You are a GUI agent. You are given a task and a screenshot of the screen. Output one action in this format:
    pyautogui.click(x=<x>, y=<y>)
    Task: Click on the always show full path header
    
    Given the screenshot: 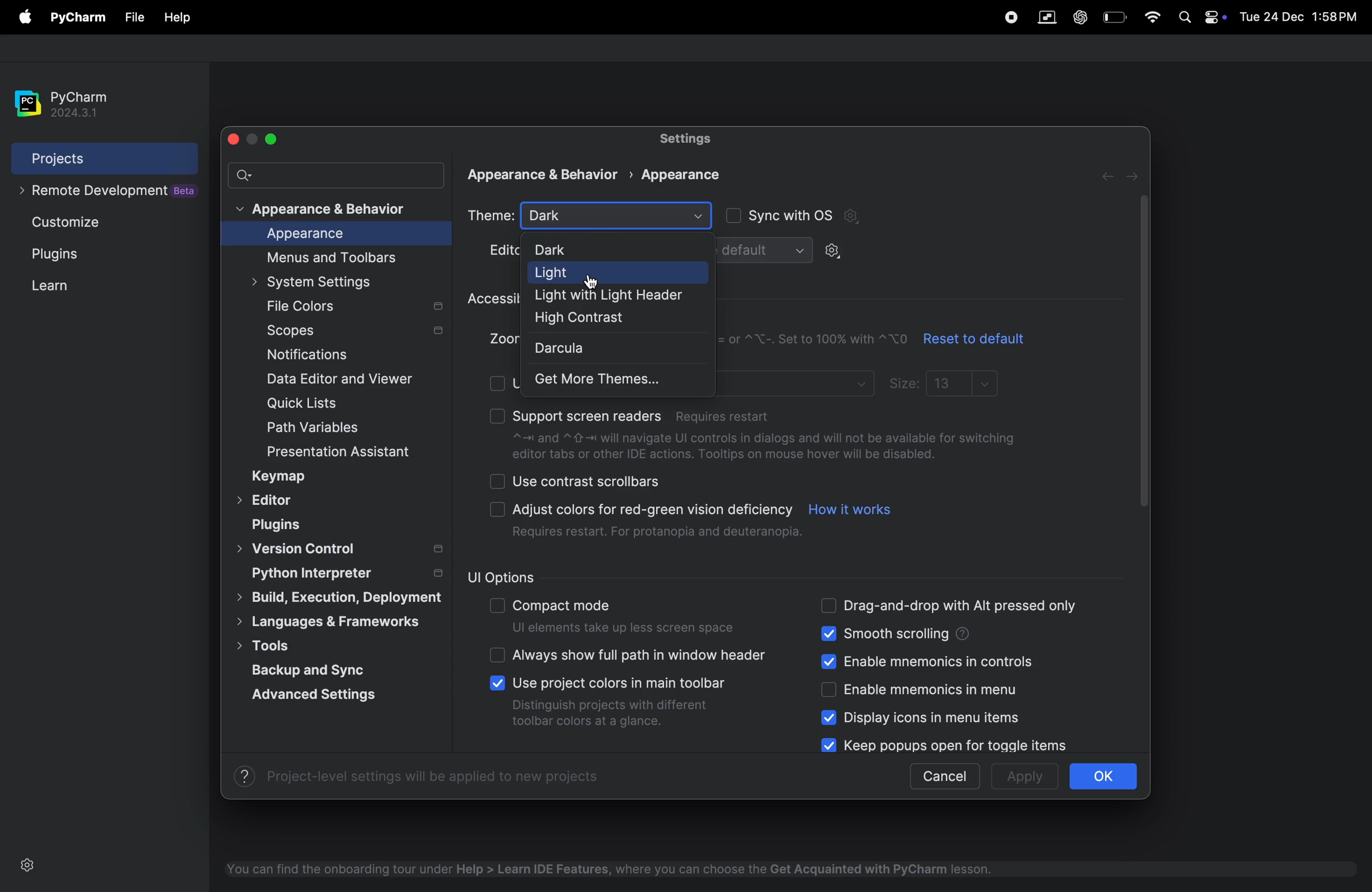 What is the action you would take?
    pyautogui.click(x=645, y=655)
    